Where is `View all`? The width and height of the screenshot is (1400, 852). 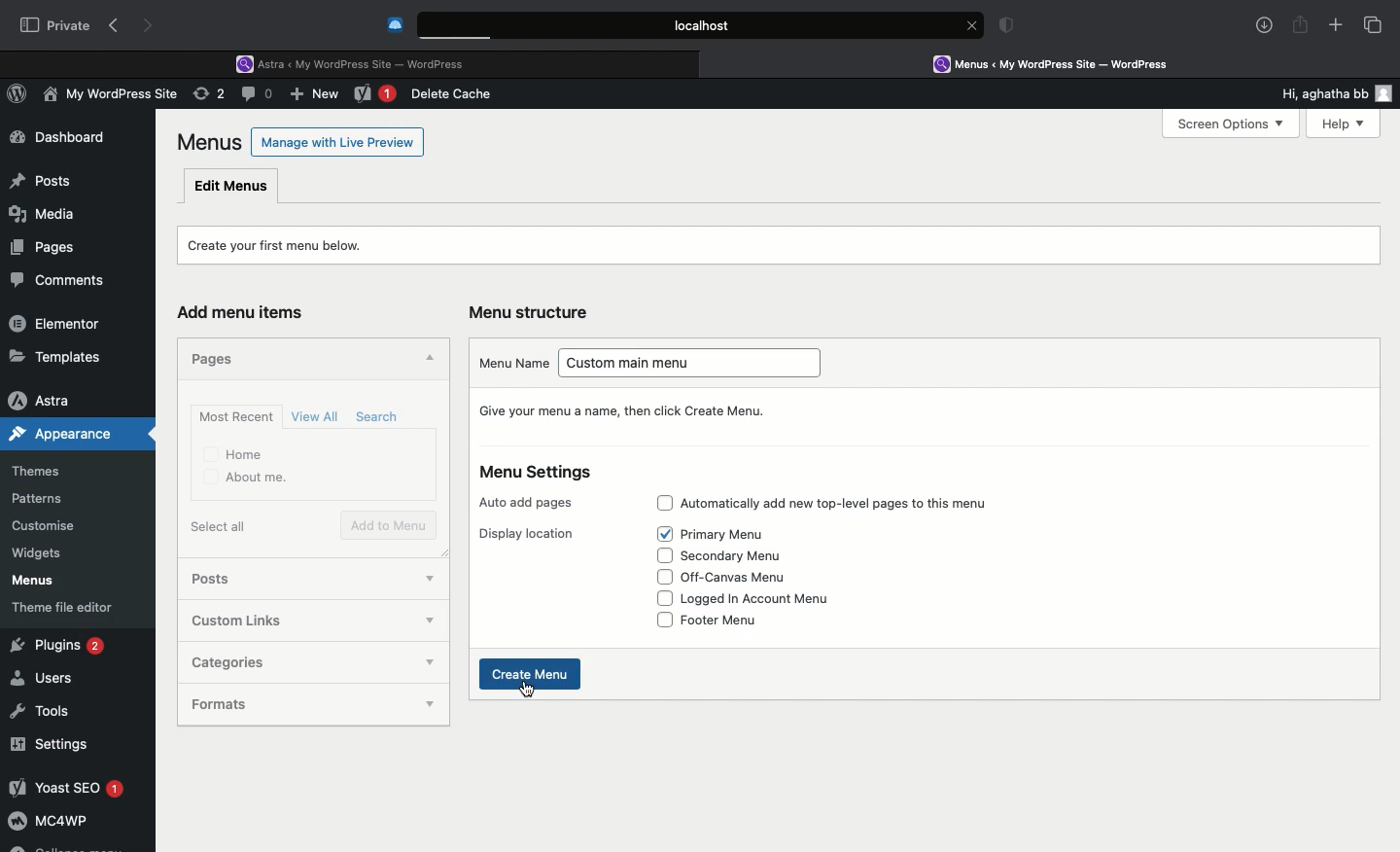
View all is located at coordinates (317, 416).